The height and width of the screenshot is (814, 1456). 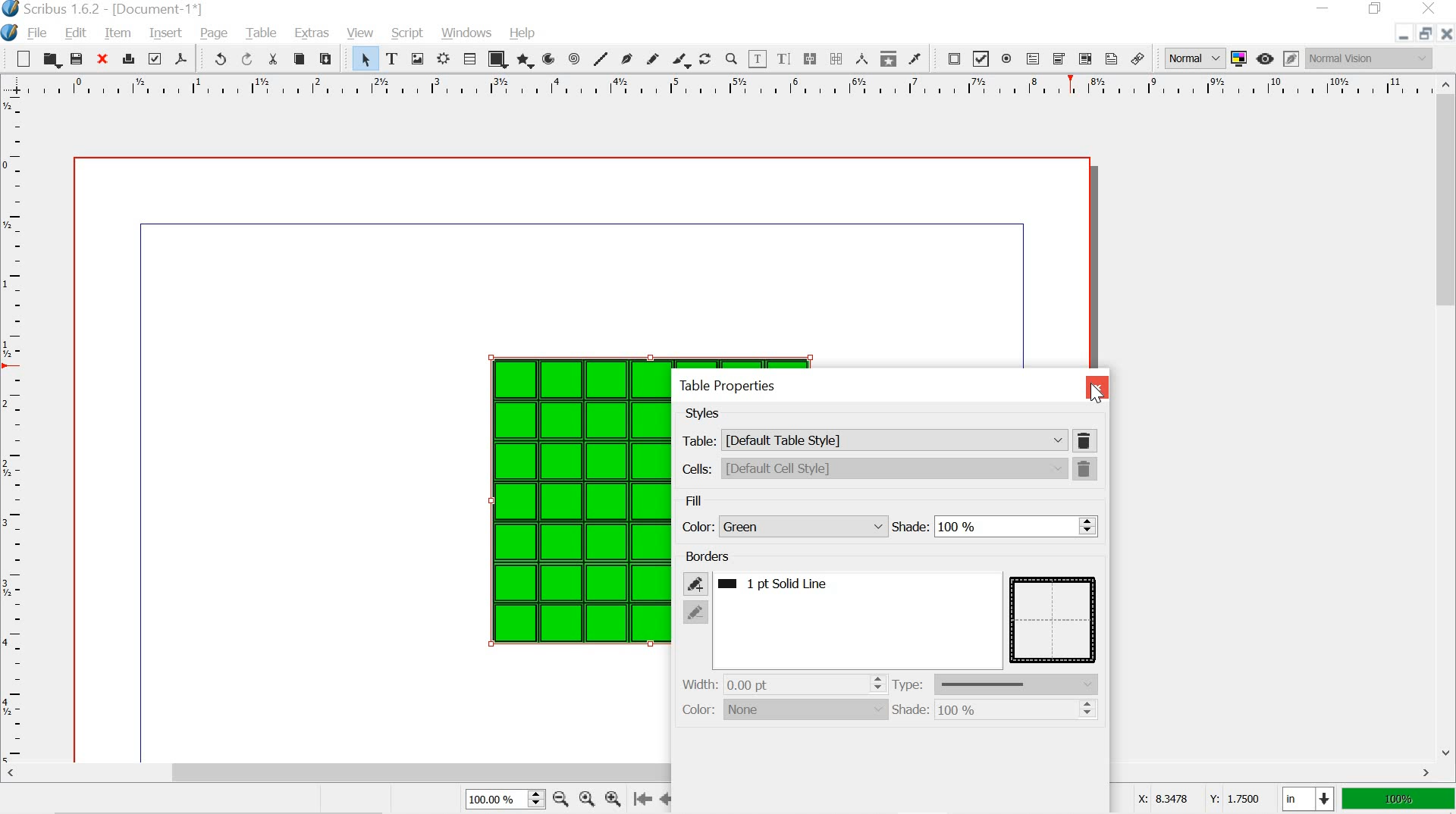 What do you see at coordinates (1059, 59) in the screenshot?
I see `pdf combo box` at bounding box center [1059, 59].